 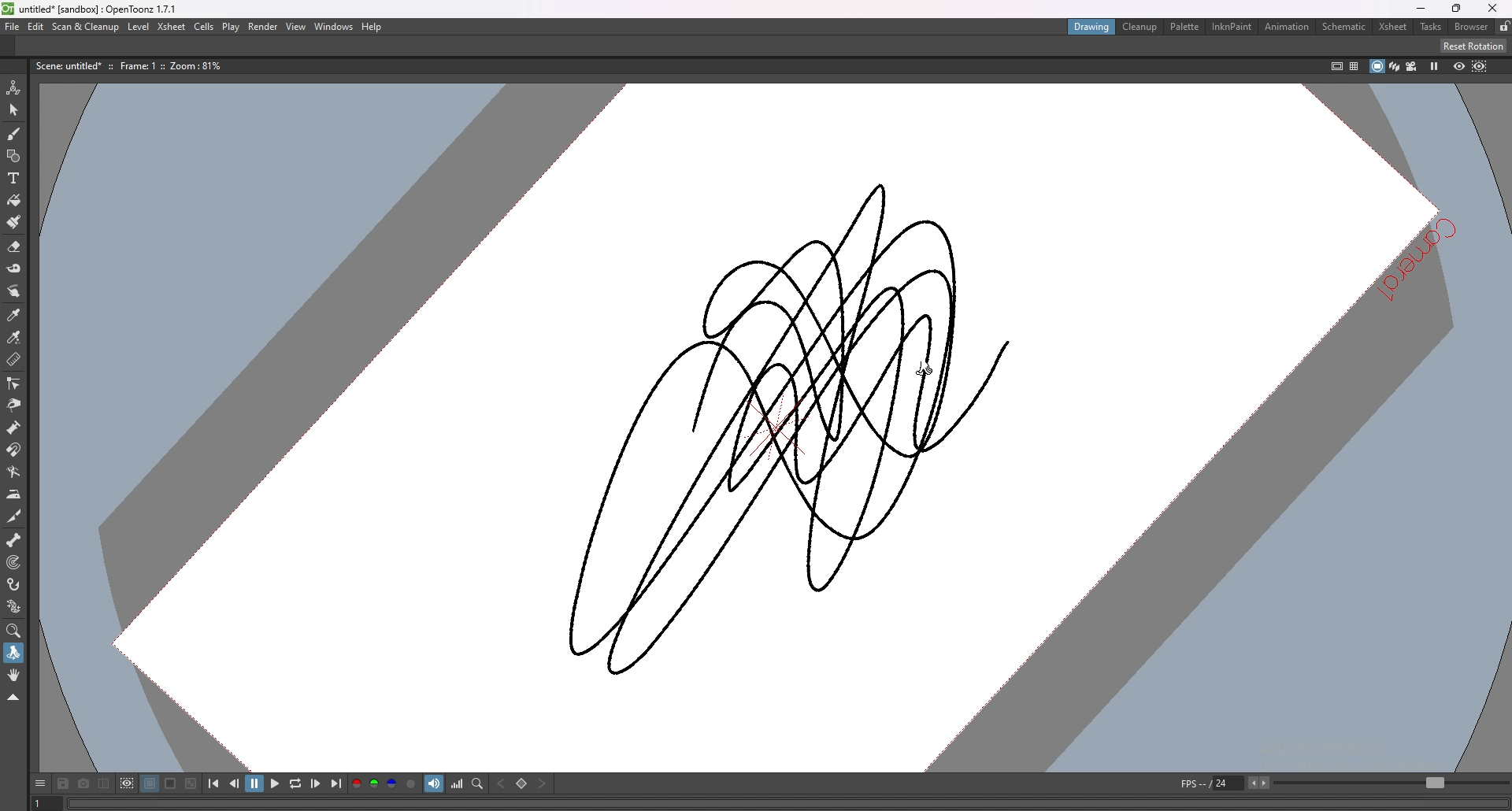 I want to click on ruler, so click(x=13, y=361).